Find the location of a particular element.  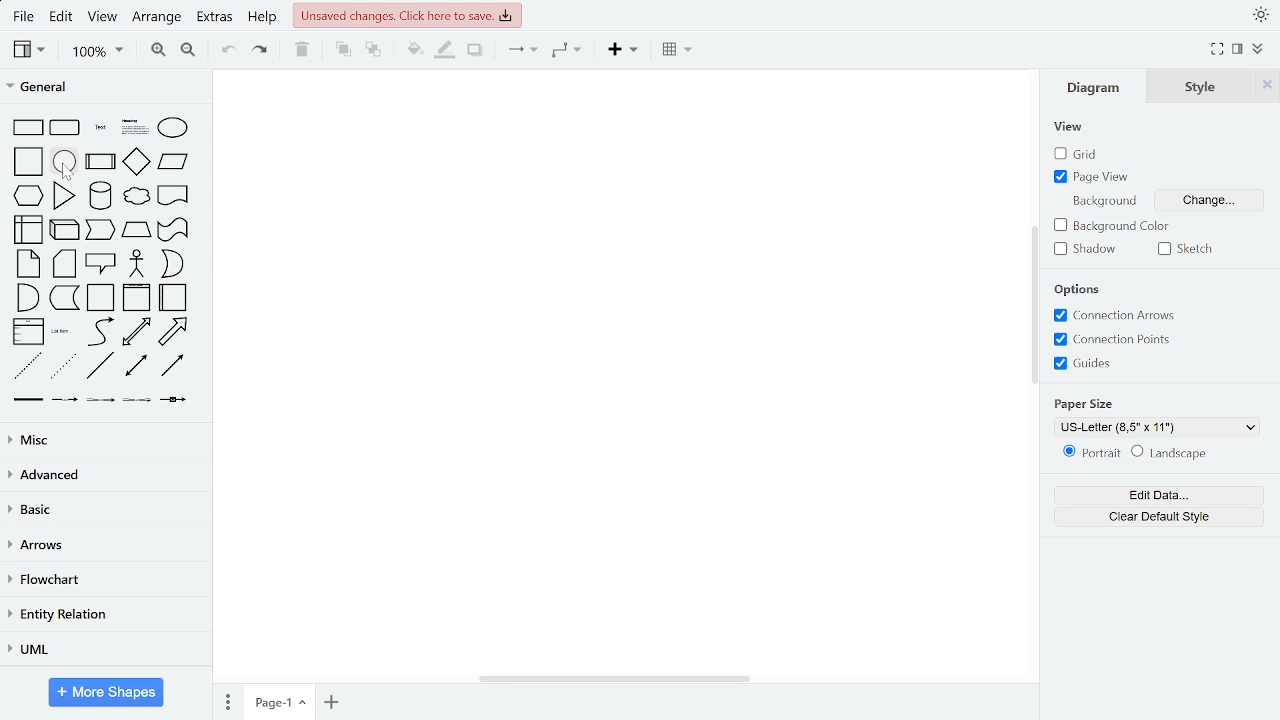

style is located at coordinates (1194, 89).